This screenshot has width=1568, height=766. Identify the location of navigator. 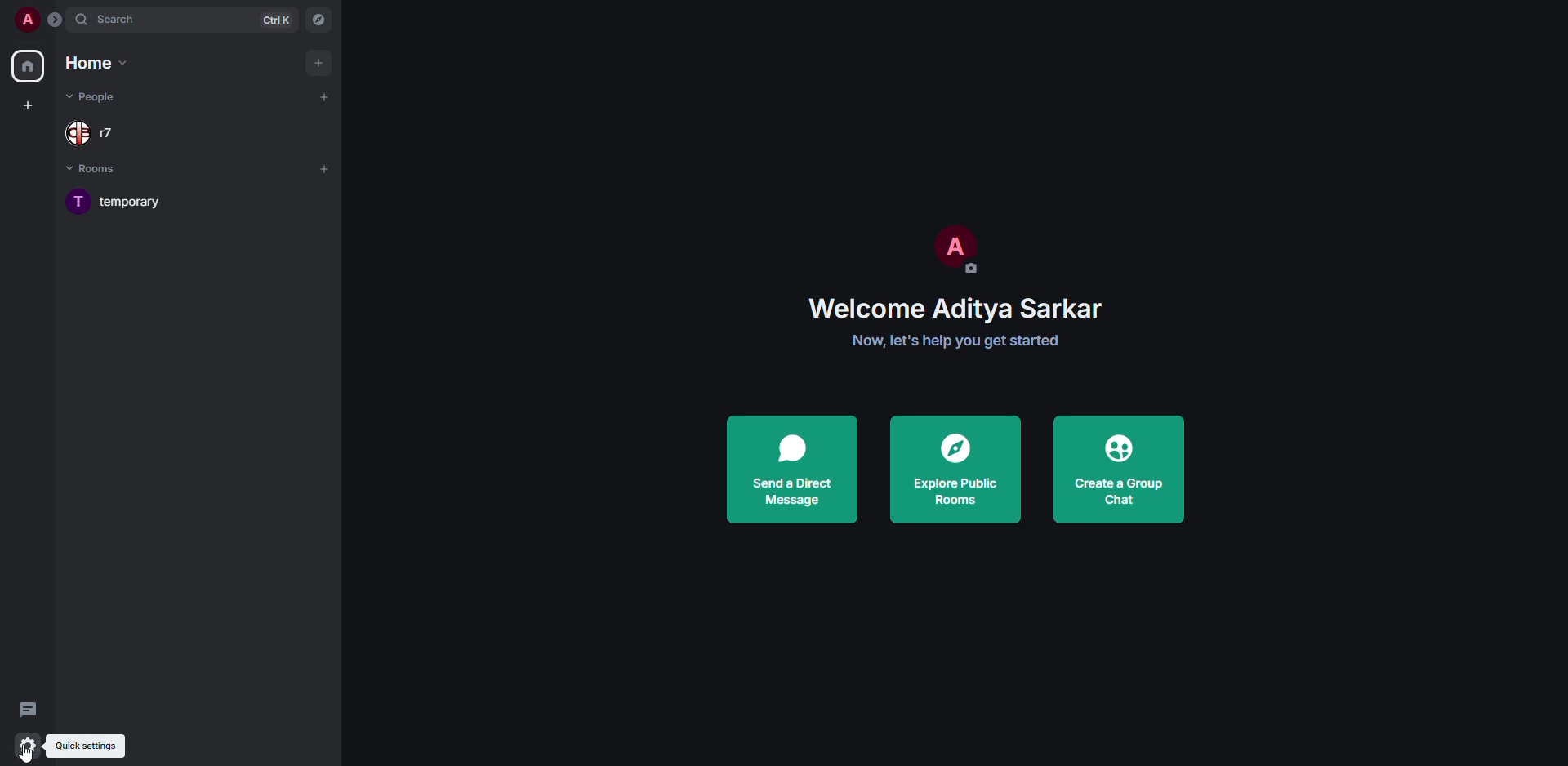
(320, 19).